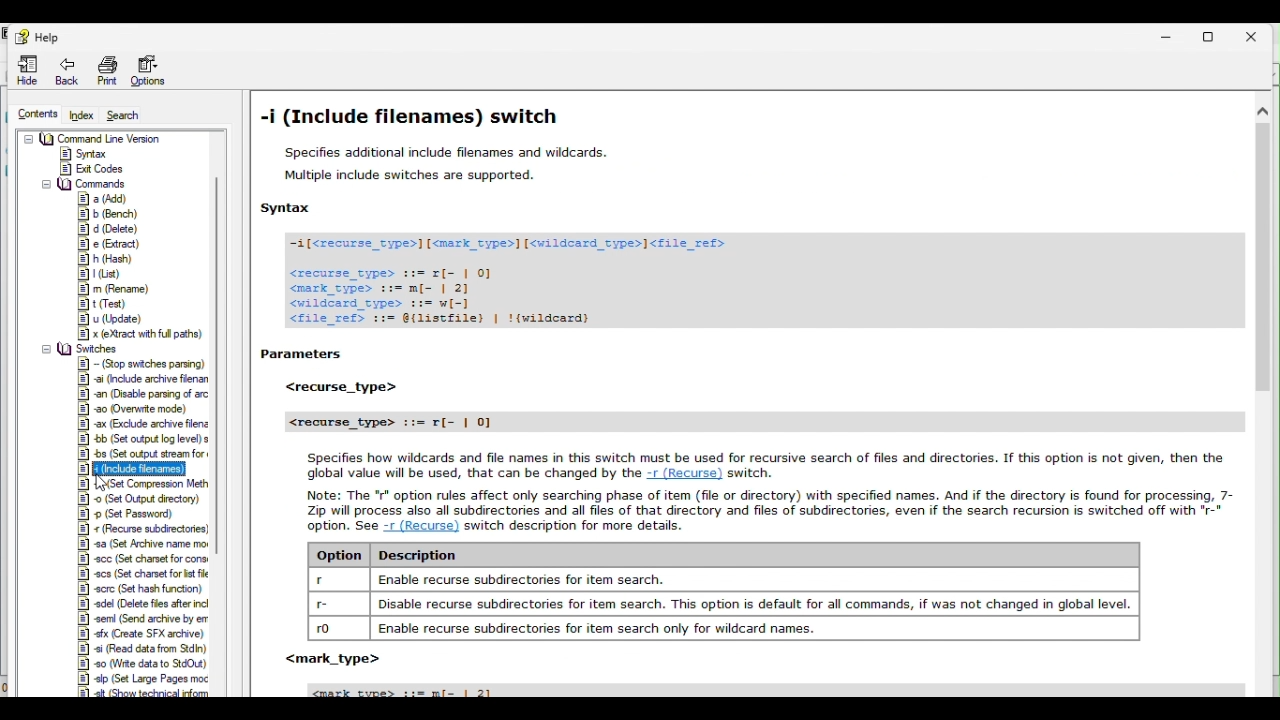 The image size is (1280, 720). What do you see at coordinates (100, 305) in the screenshot?
I see `test` at bounding box center [100, 305].